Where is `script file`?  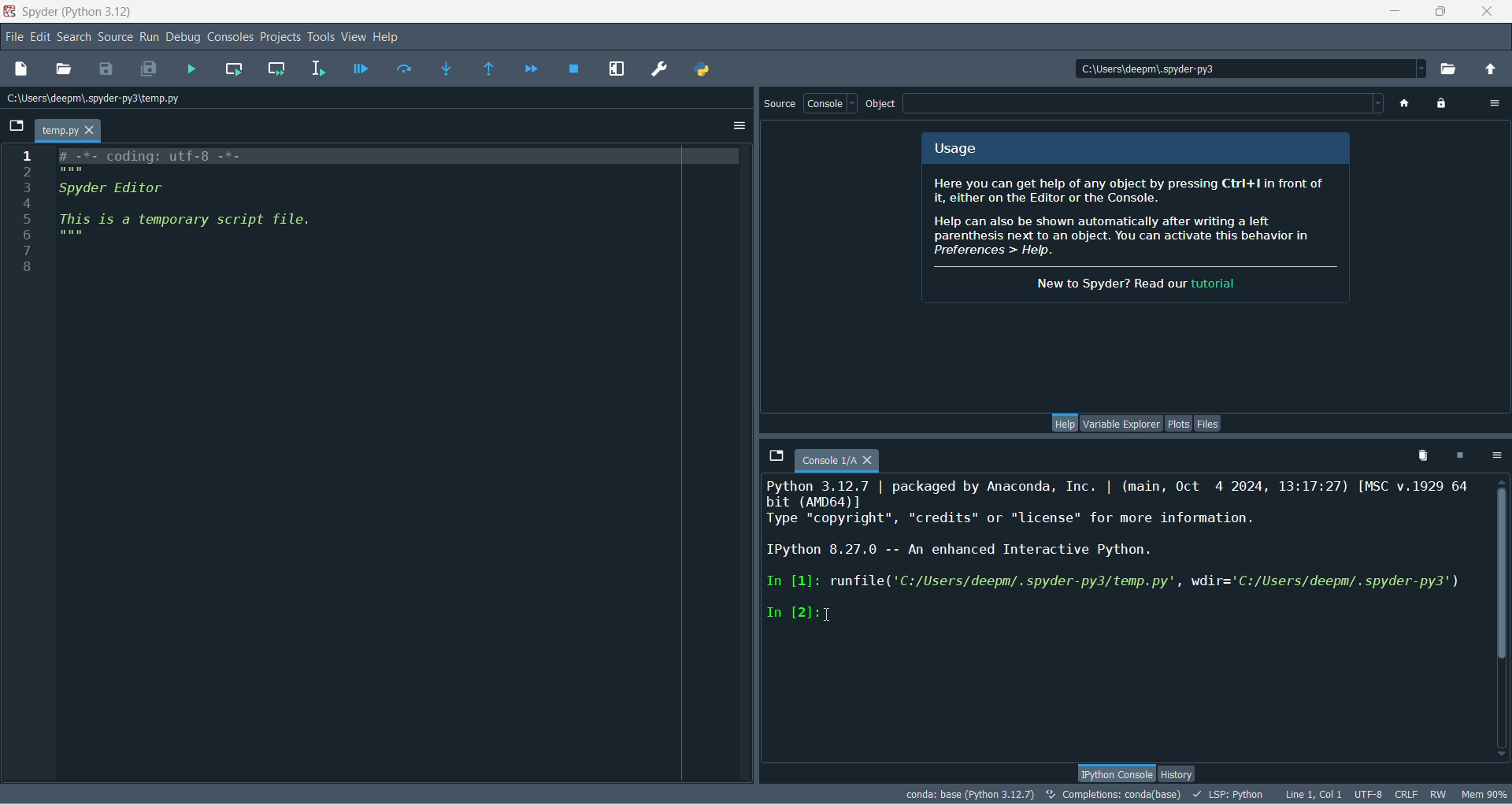
script file is located at coordinates (227, 207).